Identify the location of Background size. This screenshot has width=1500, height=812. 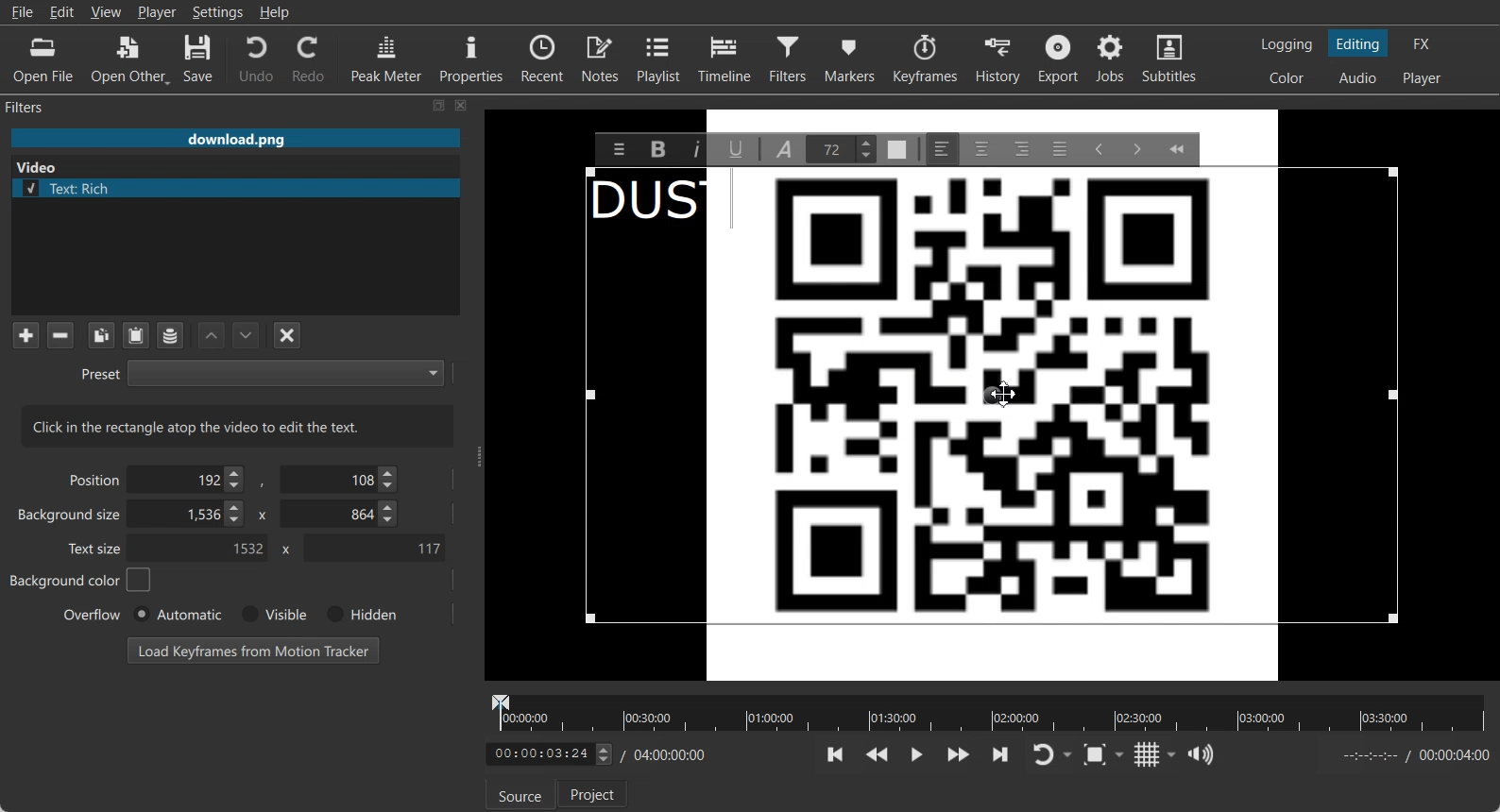
(71, 518).